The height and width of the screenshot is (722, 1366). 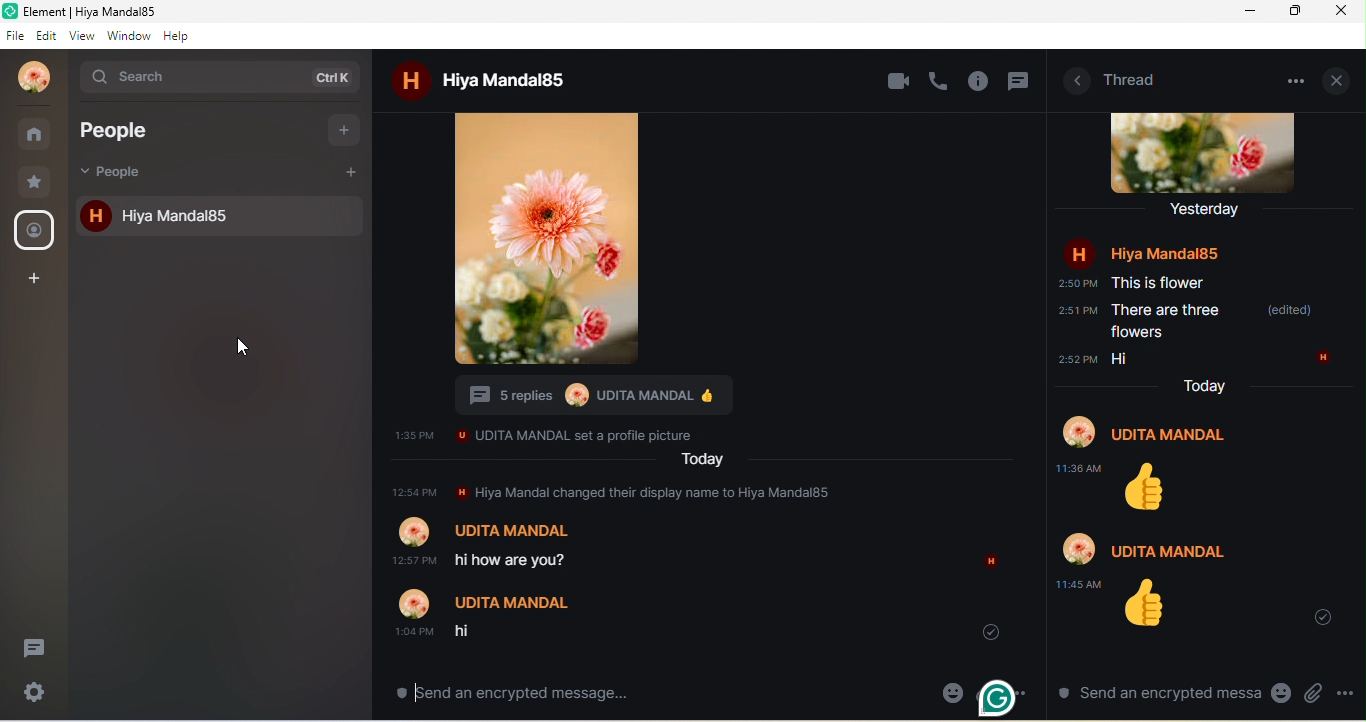 I want to click on edit, so click(x=47, y=35).